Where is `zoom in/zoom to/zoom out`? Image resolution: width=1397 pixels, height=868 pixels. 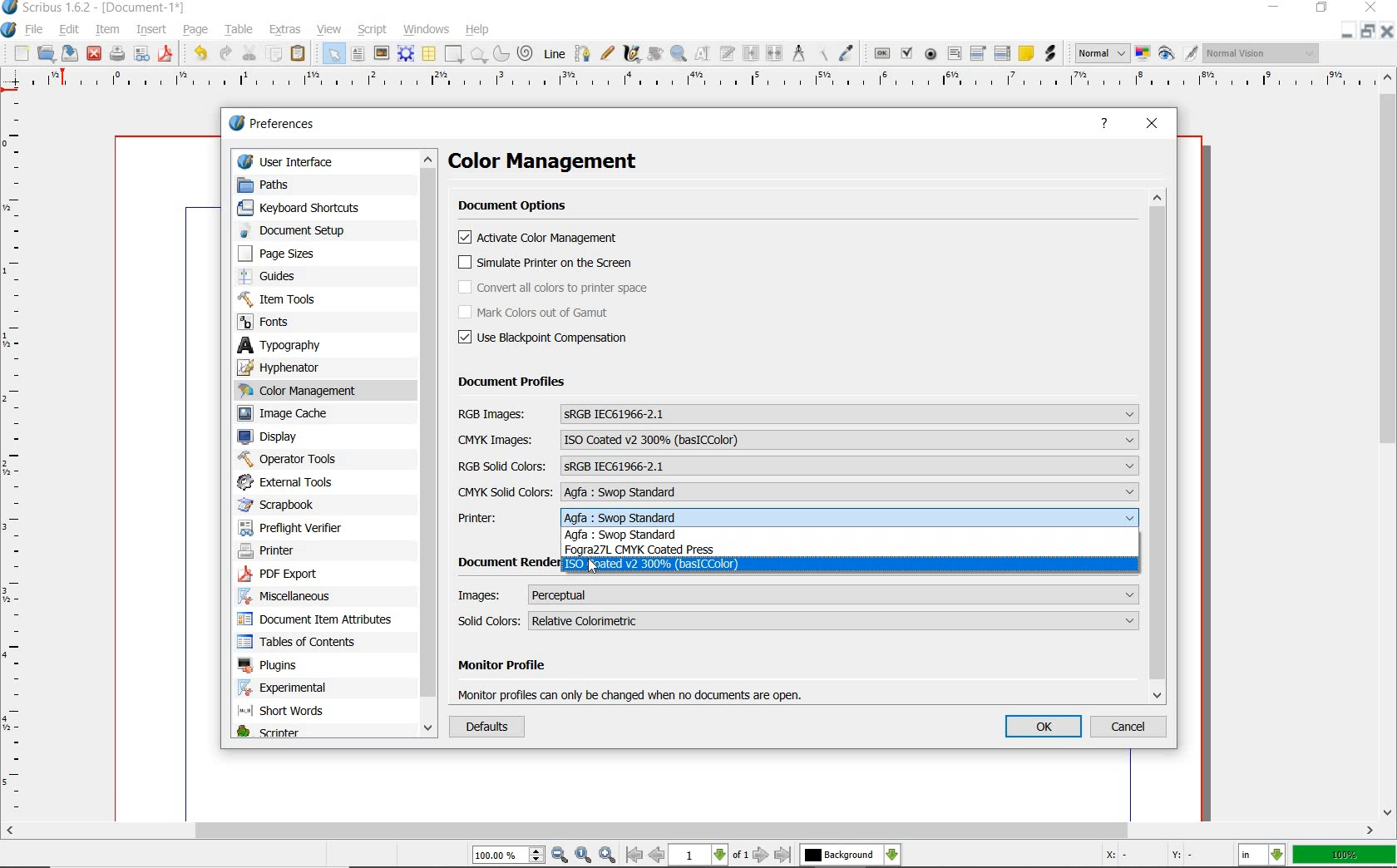 zoom in/zoom to/zoom out is located at coordinates (546, 856).